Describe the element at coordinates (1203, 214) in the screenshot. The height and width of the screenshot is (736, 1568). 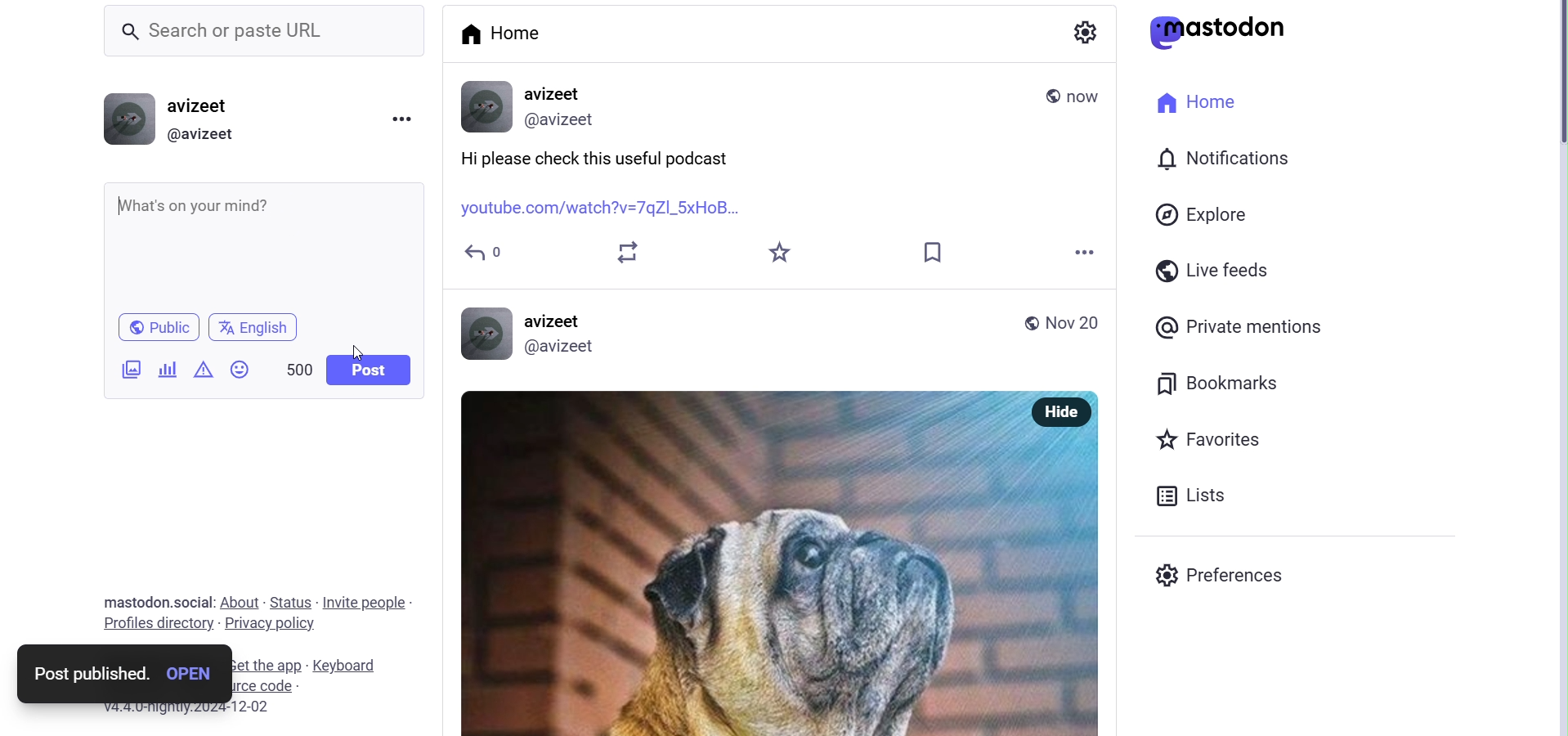
I see `explore` at that location.